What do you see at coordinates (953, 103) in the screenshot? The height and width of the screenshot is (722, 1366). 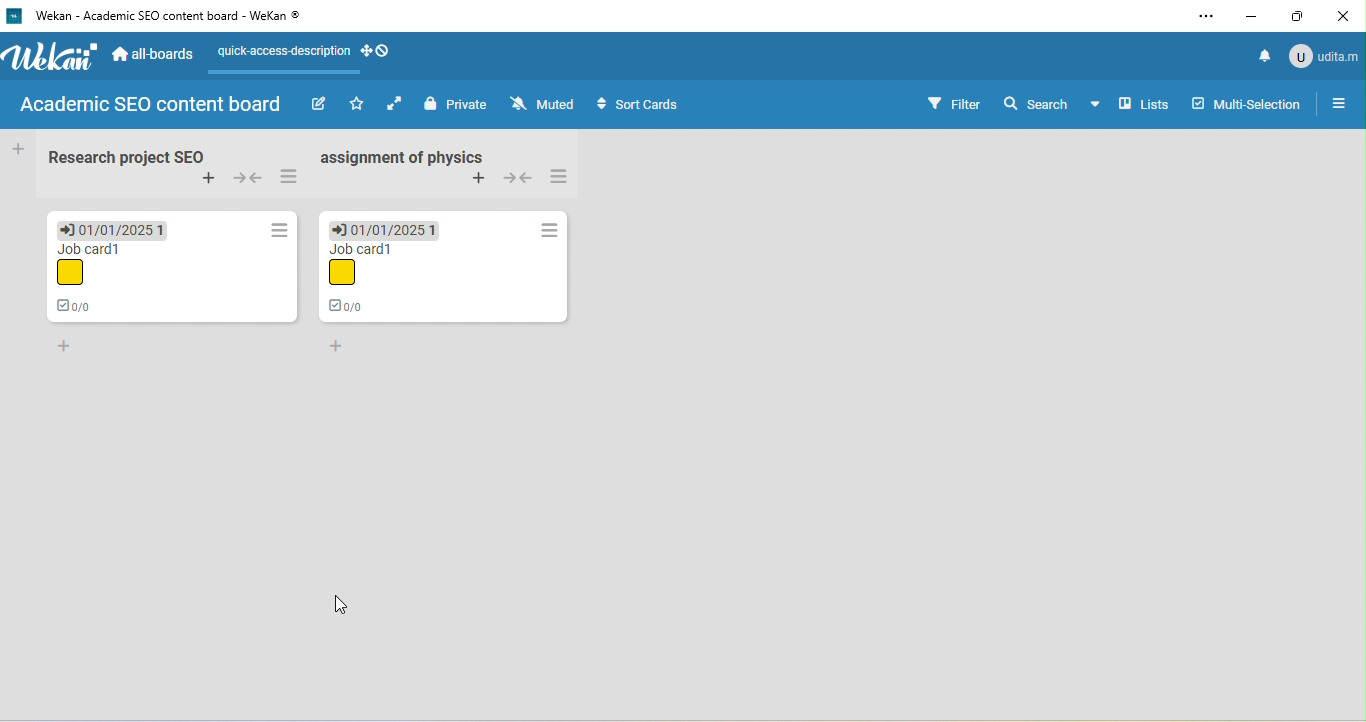 I see `filter` at bounding box center [953, 103].